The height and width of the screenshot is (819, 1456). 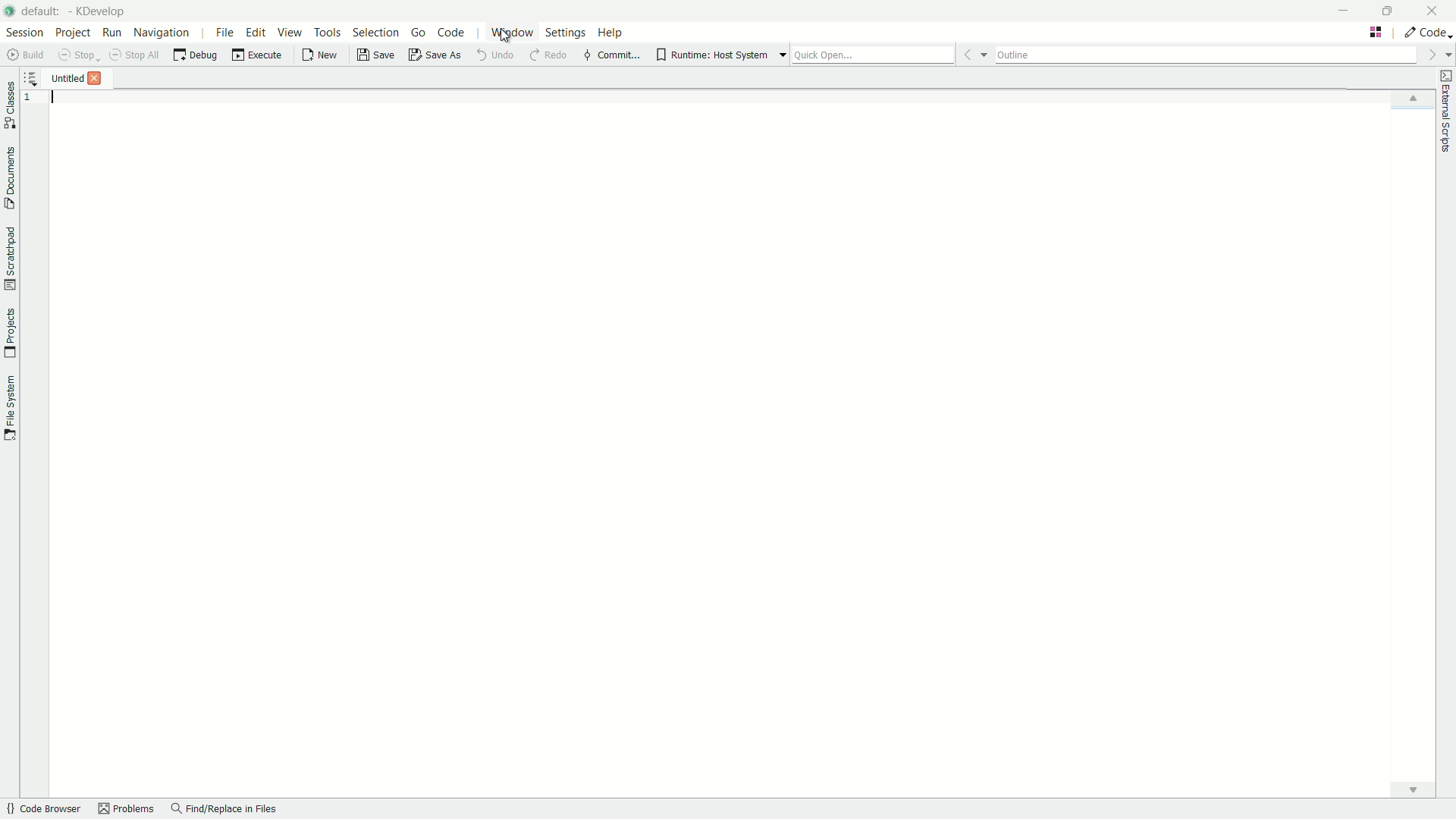 What do you see at coordinates (66, 80) in the screenshot?
I see `file name` at bounding box center [66, 80].